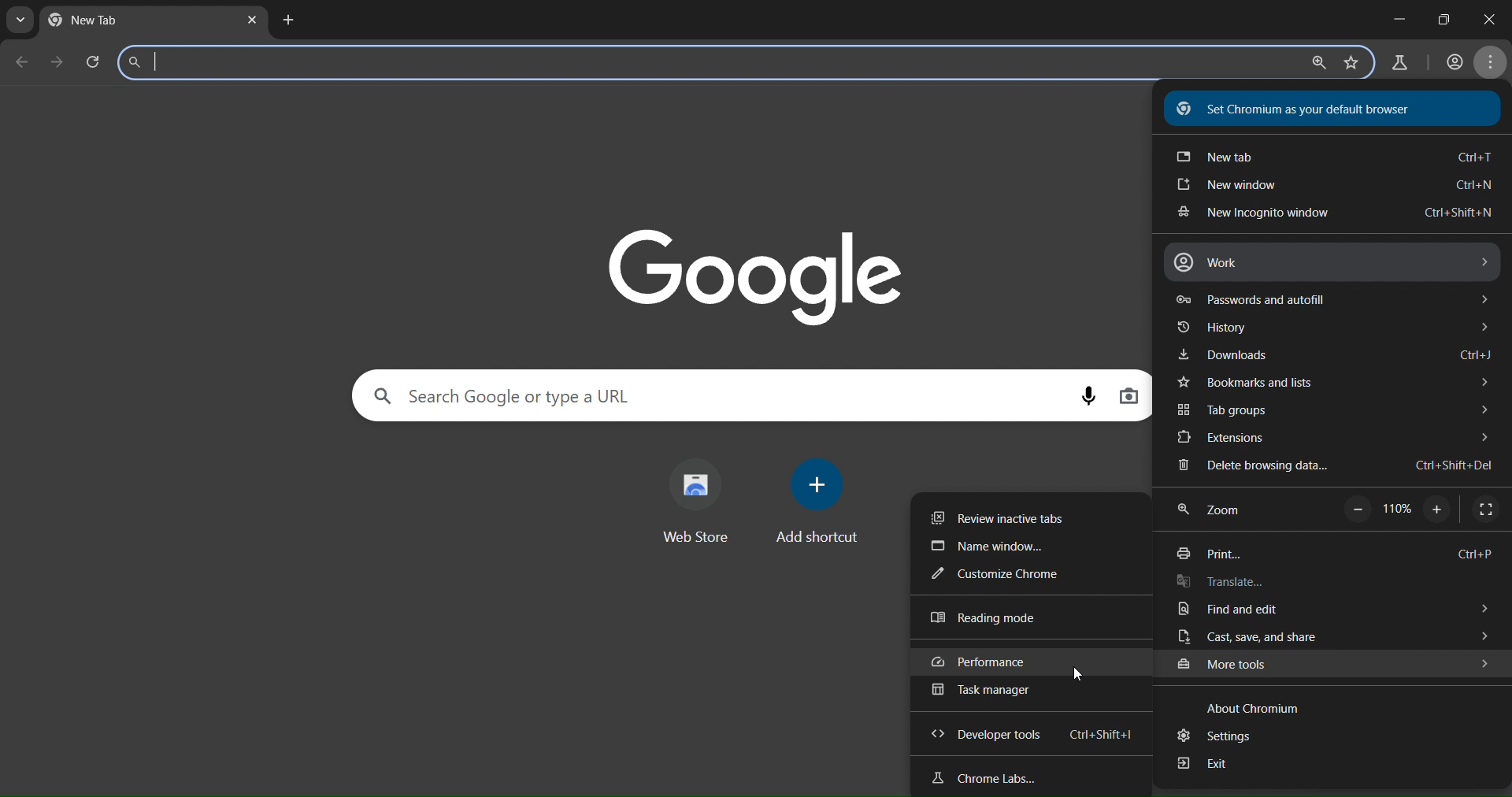  What do you see at coordinates (1329, 555) in the screenshot?
I see `print` at bounding box center [1329, 555].